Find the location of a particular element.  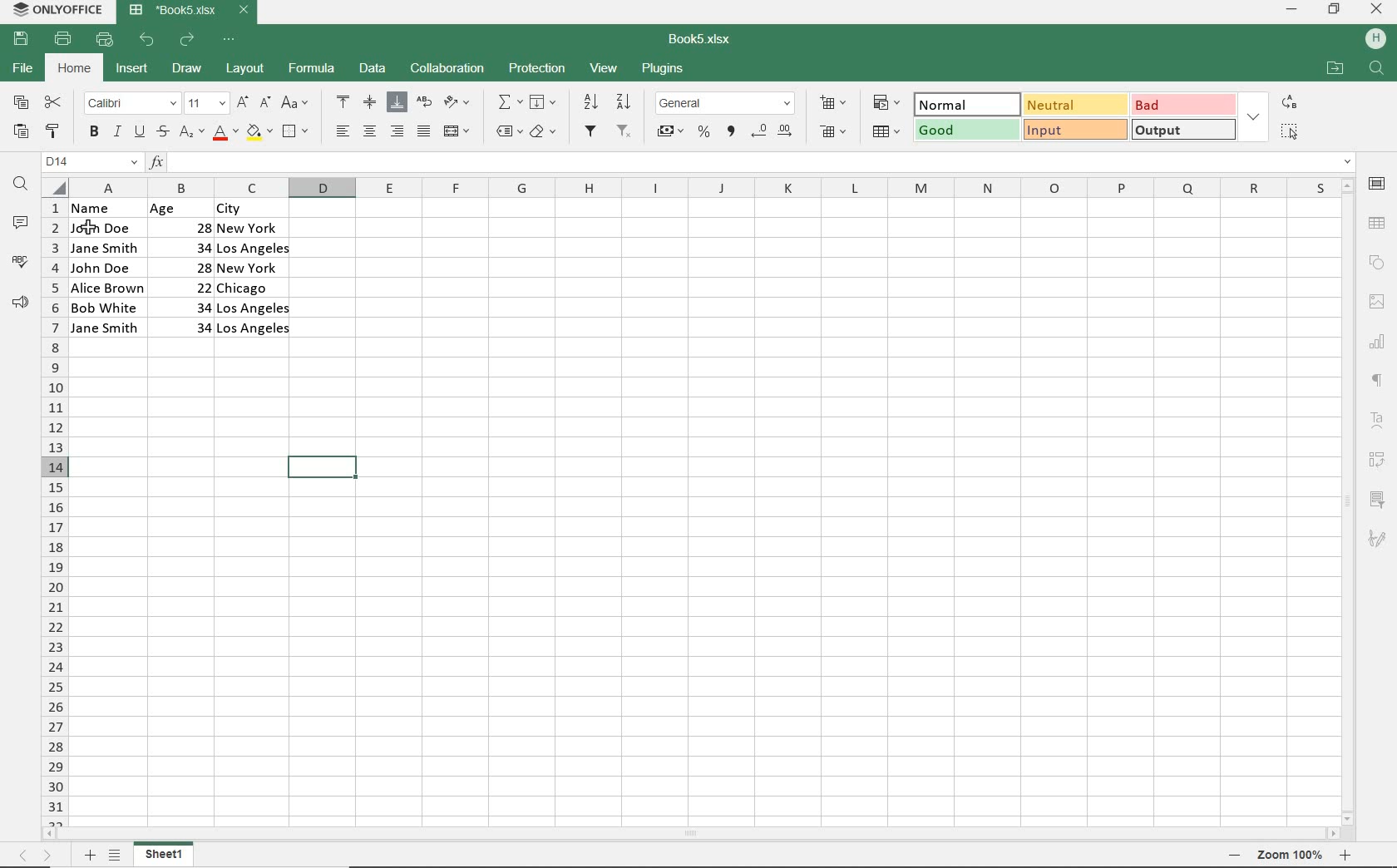

REPLACE is located at coordinates (1288, 101).